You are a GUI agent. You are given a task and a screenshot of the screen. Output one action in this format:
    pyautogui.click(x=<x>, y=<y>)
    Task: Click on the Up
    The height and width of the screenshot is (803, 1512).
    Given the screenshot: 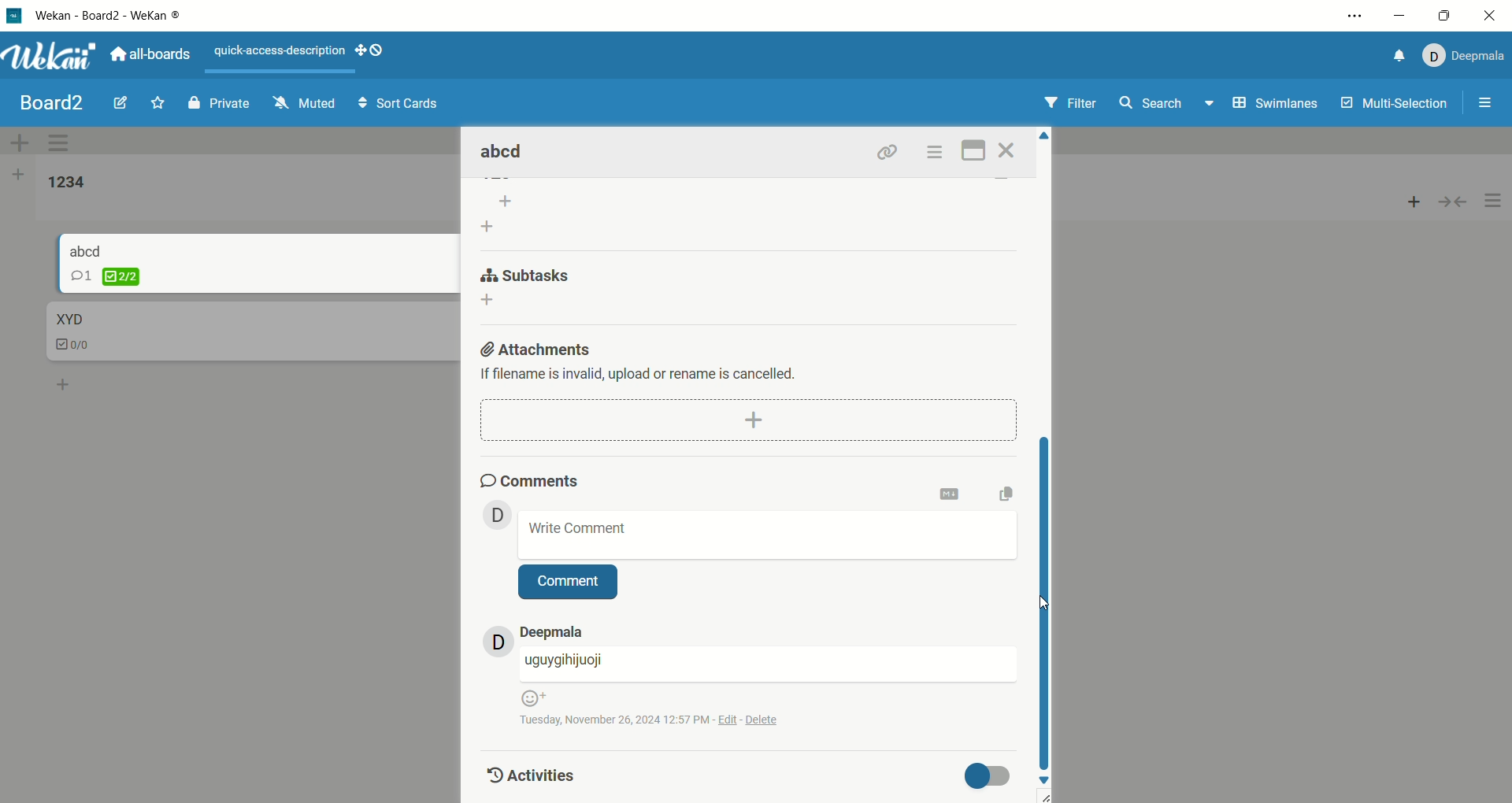 What is the action you would take?
    pyautogui.click(x=1045, y=139)
    